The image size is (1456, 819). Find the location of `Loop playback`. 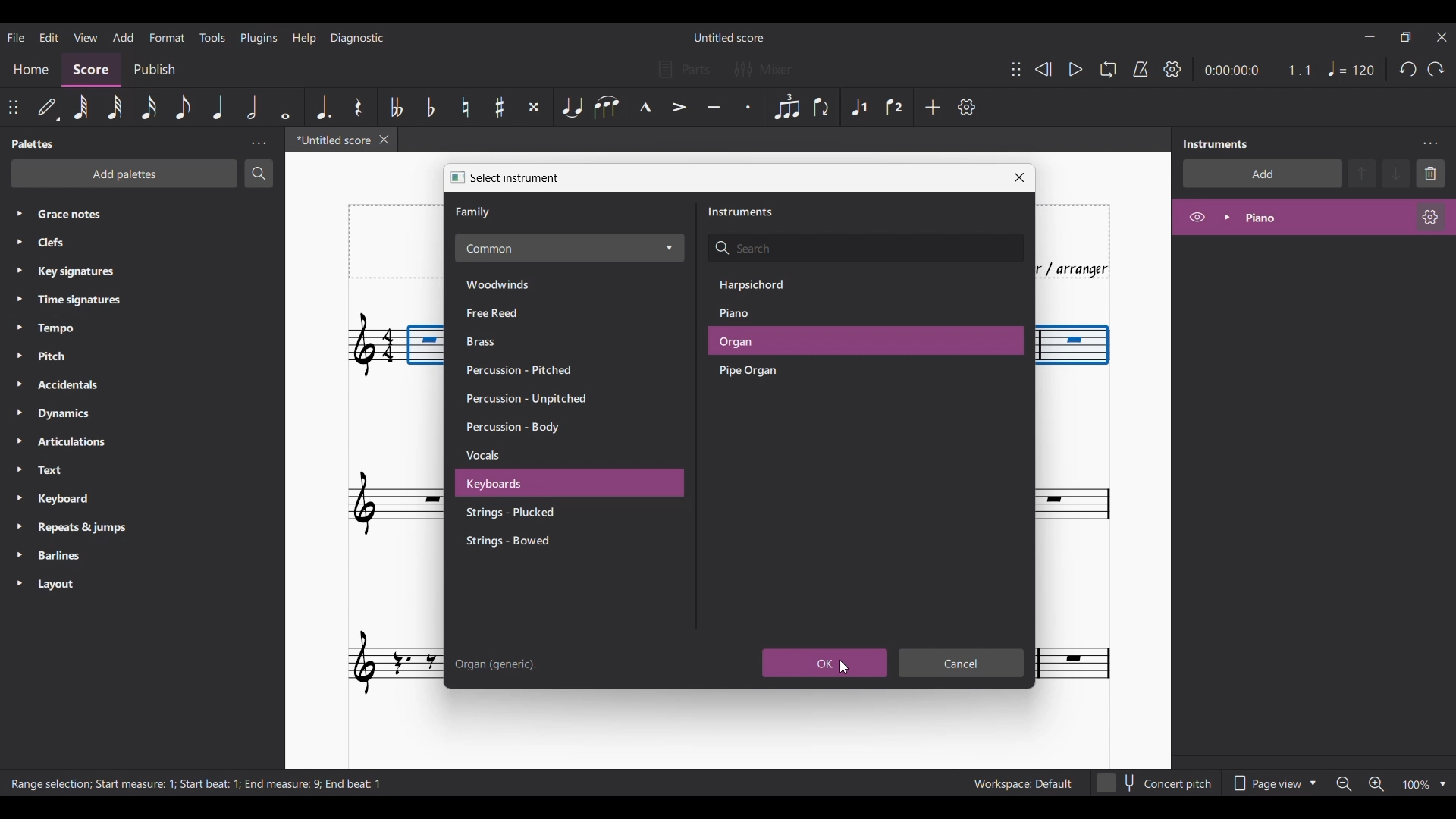

Loop playback is located at coordinates (1108, 69).